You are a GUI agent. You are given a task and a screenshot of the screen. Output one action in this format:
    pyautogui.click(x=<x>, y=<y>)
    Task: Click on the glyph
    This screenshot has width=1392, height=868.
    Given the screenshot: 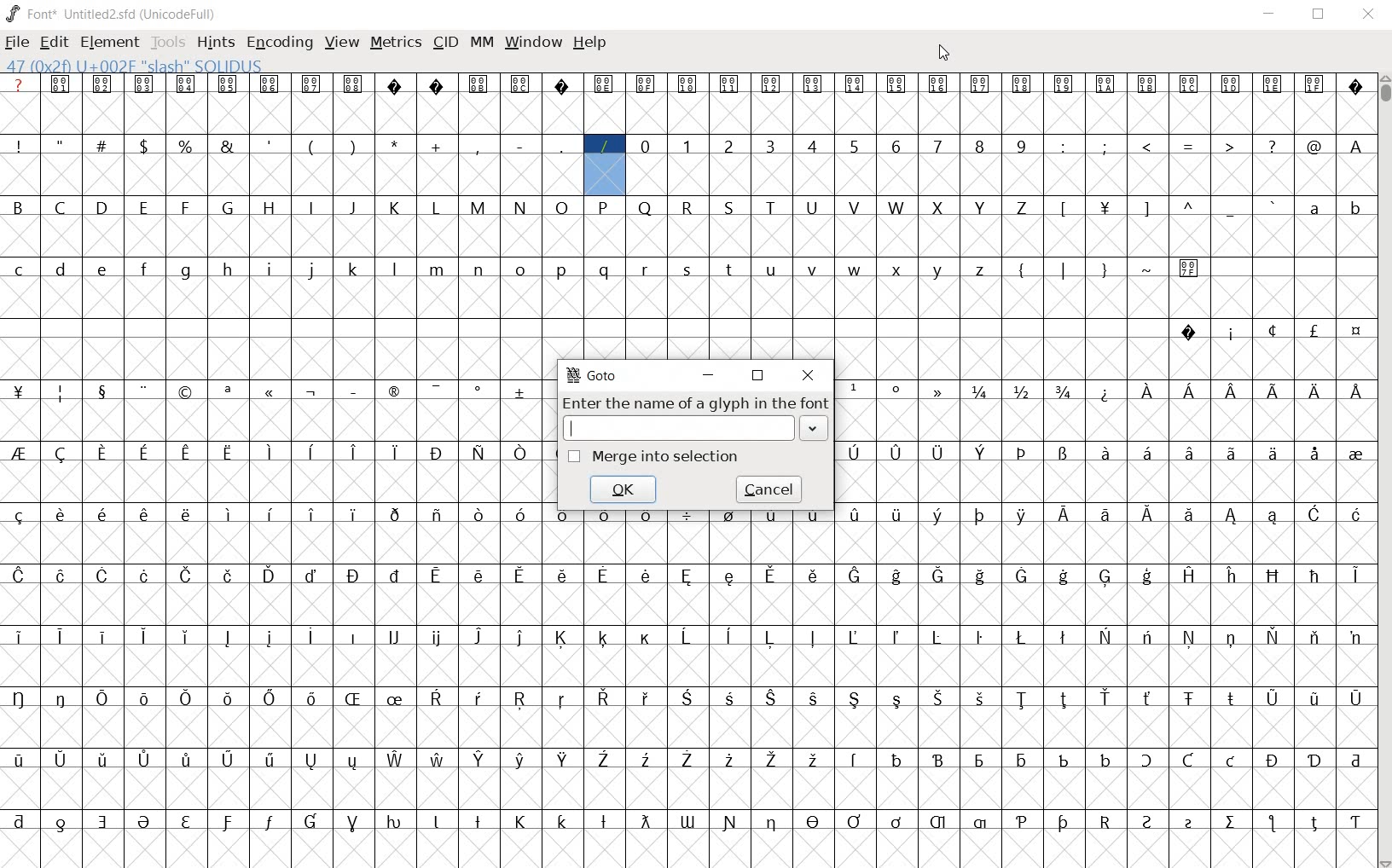 What is the action you would take?
    pyautogui.click(x=854, y=821)
    